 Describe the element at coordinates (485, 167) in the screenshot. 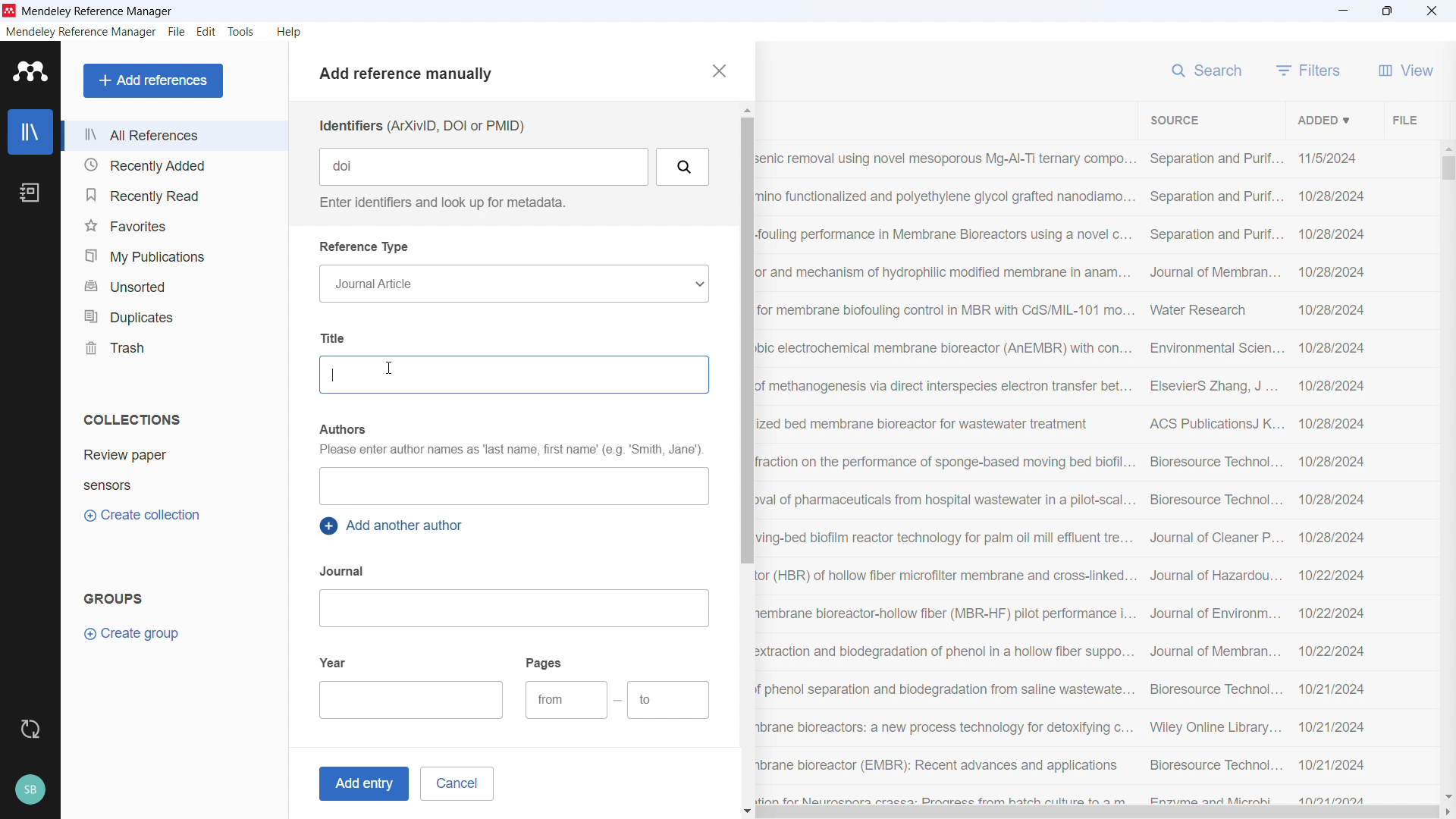

I see `Add Identifier ` at that location.